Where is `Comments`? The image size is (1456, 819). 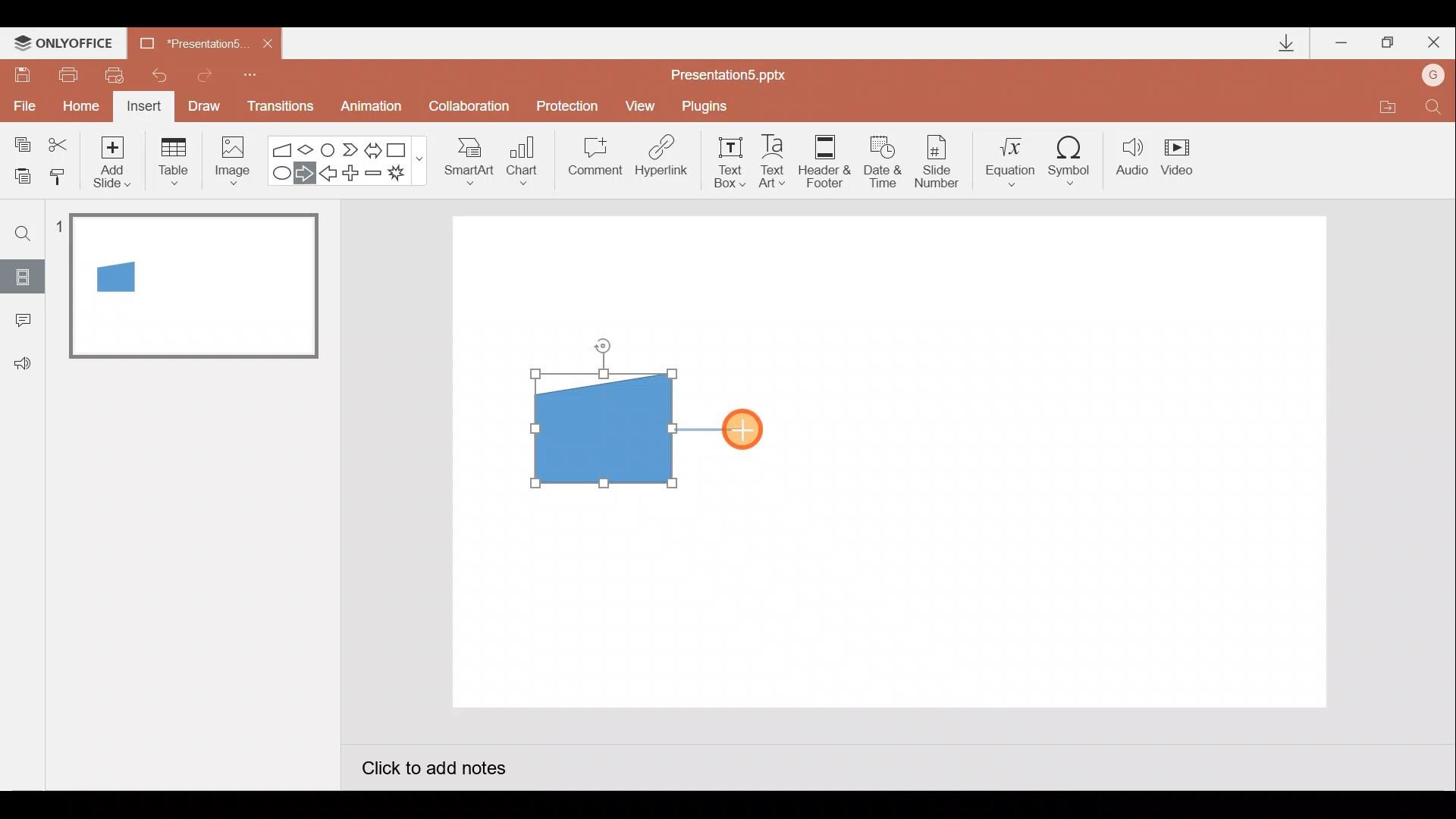
Comments is located at coordinates (19, 322).